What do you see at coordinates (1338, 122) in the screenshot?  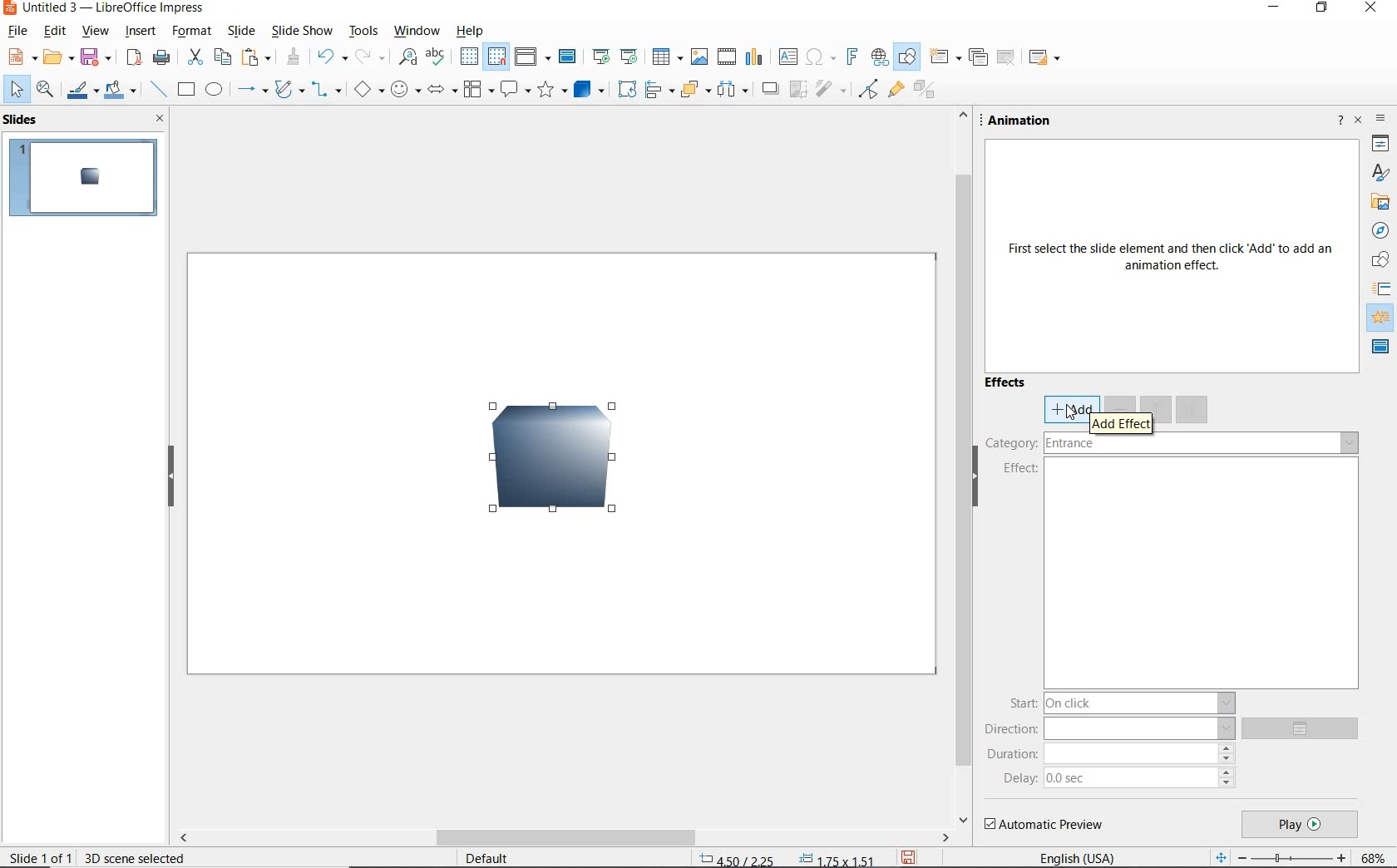 I see `help about sidebar deck` at bounding box center [1338, 122].